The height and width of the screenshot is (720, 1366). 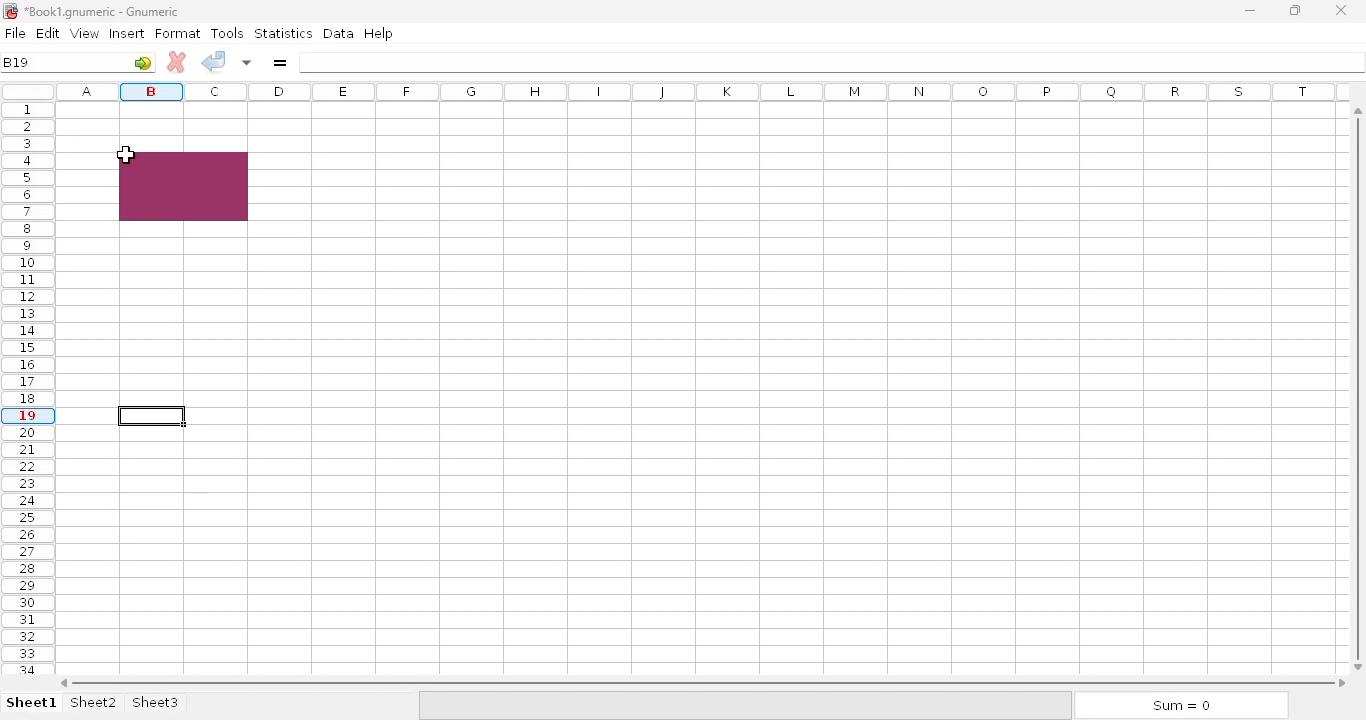 What do you see at coordinates (17, 62) in the screenshot?
I see `B19` at bounding box center [17, 62].